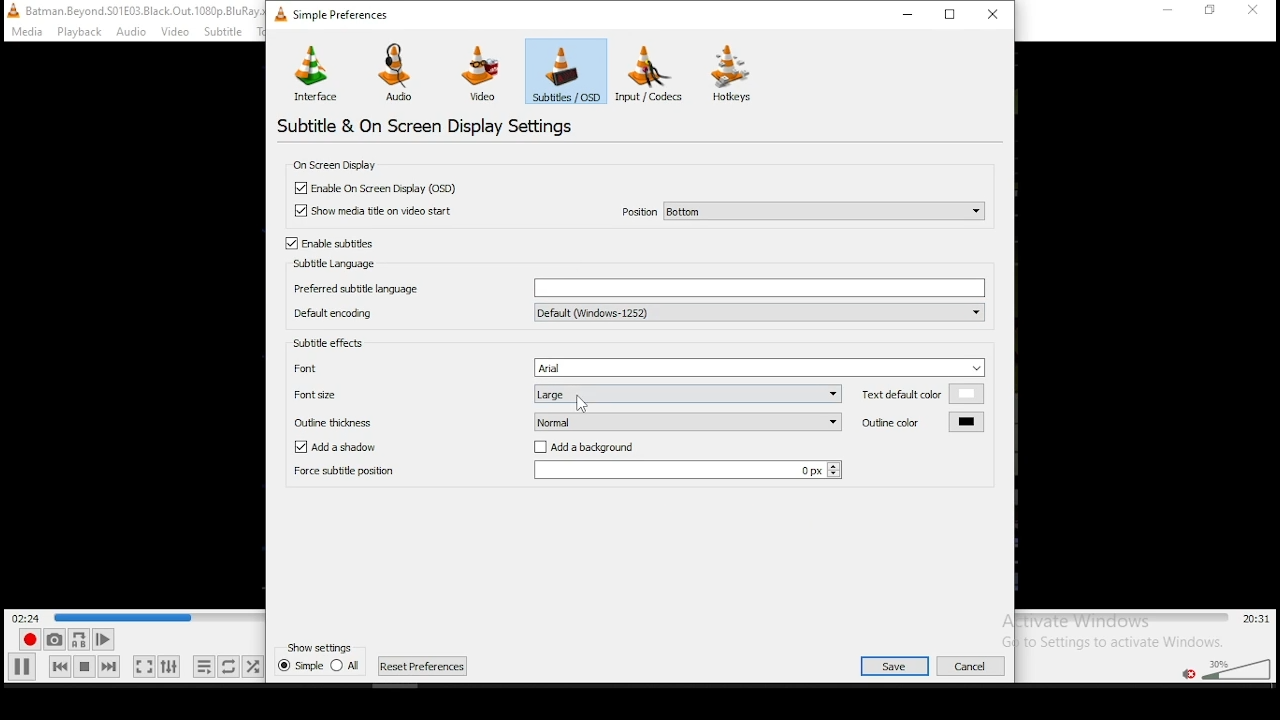 This screenshot has width=1280, height=720. Describe the element at coordinates (801, 210) in the screenshot. I see `position Bottom` at that location.